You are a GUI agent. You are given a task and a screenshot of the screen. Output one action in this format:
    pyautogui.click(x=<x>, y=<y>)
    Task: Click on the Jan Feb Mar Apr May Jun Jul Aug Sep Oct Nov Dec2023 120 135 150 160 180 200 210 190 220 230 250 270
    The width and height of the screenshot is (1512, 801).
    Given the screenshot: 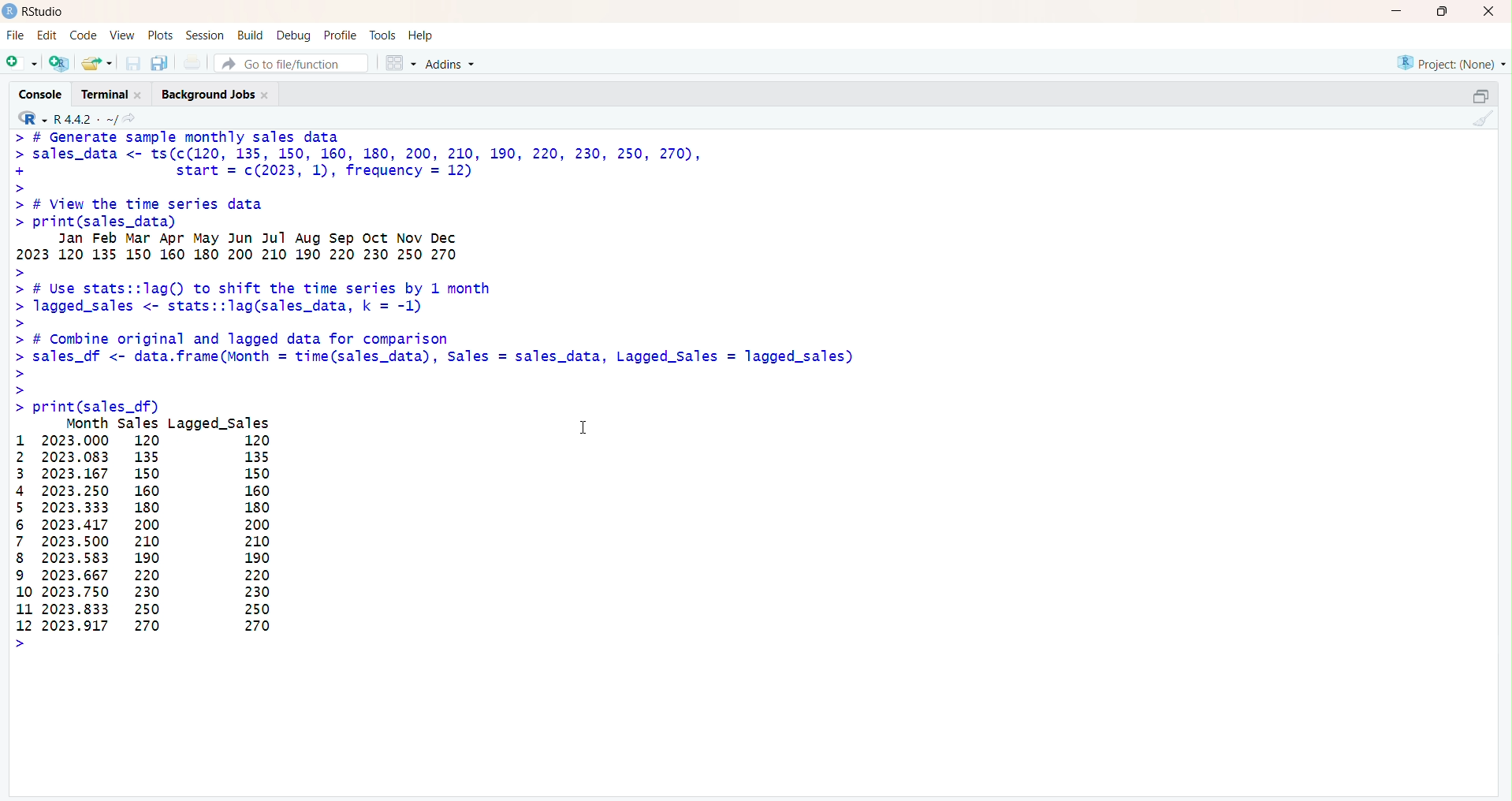 What is the action you would take?
    pyautogui.click(x=393, y=248)
    